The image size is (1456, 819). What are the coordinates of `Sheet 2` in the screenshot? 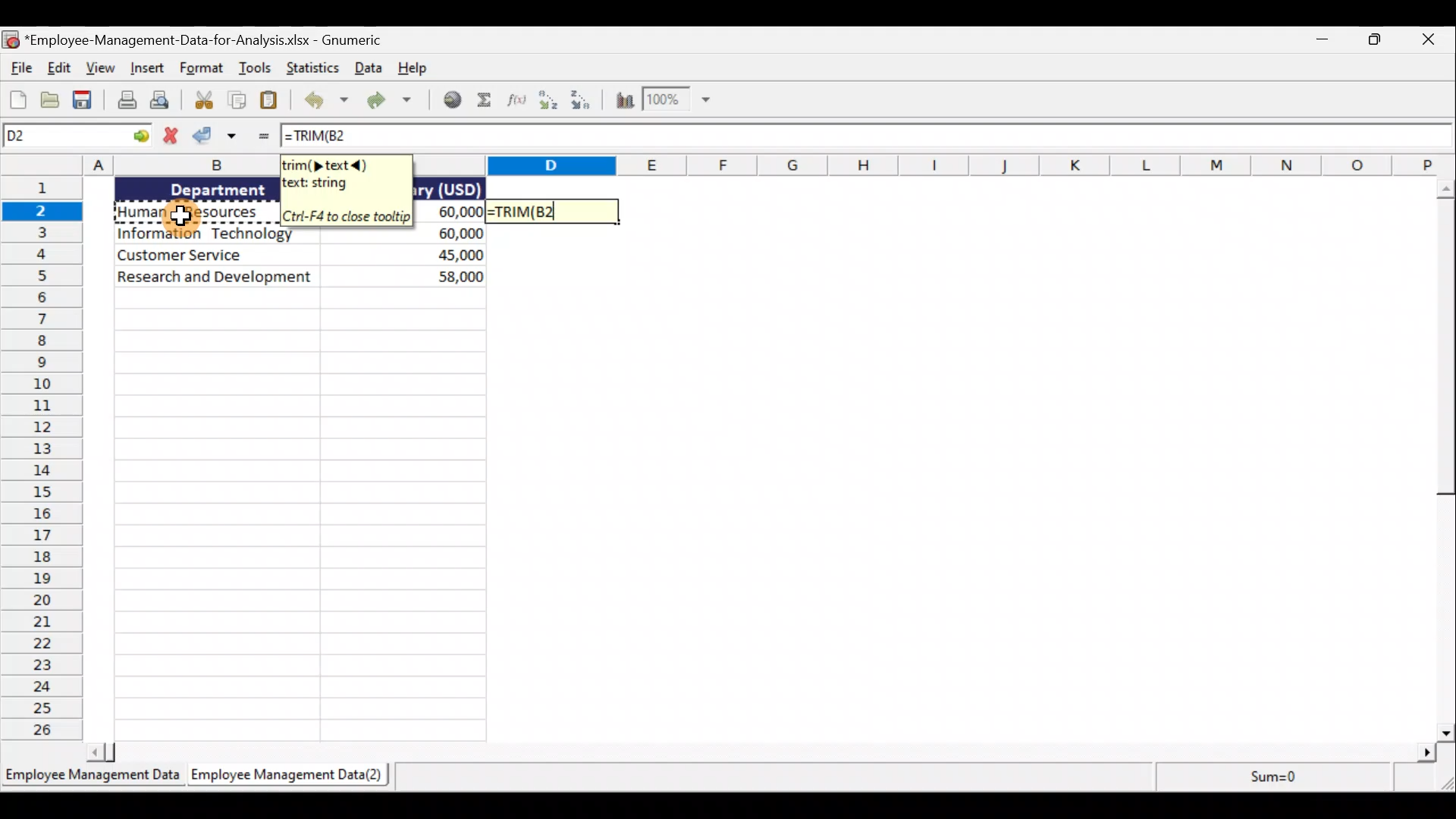 It's located at (295, 776).